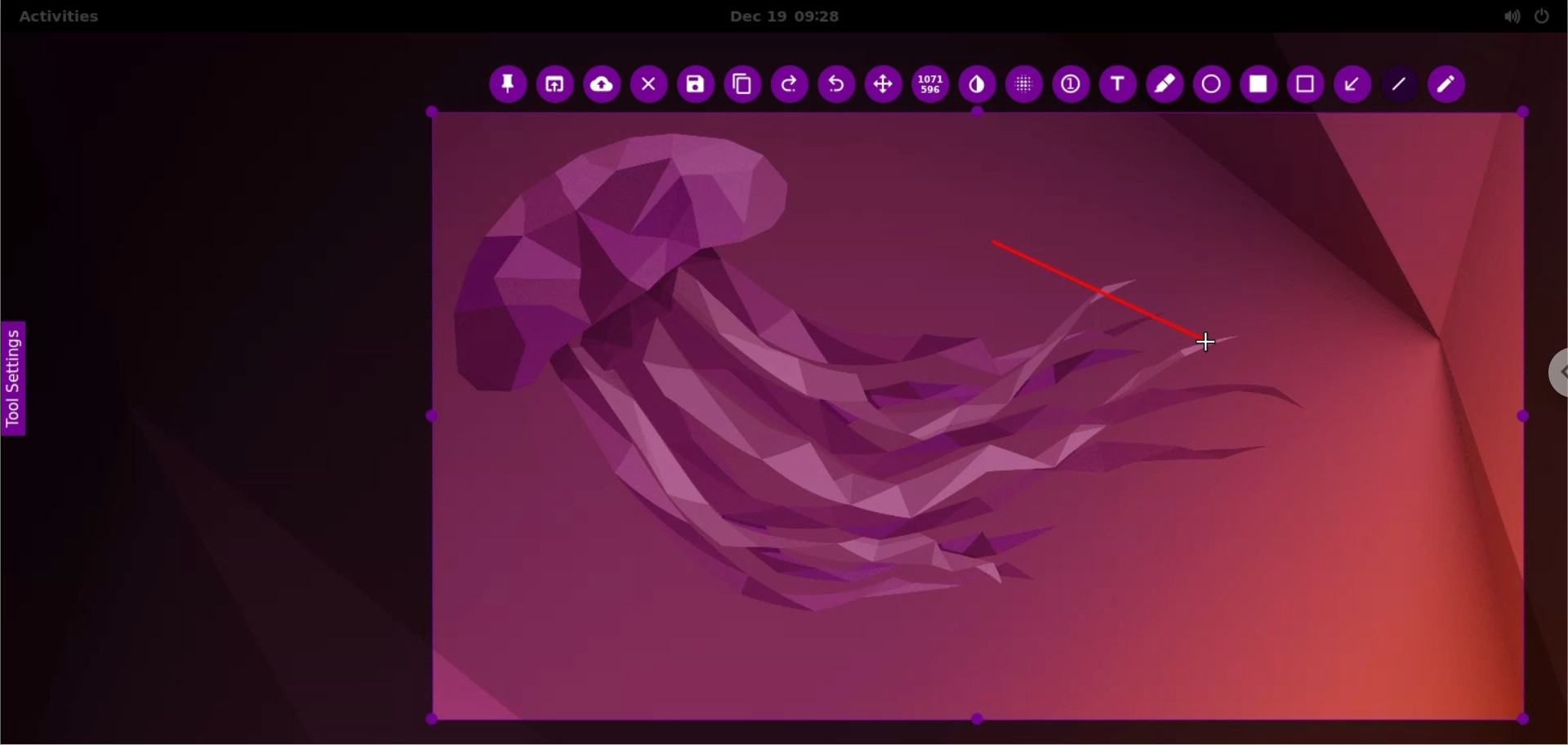  What do you see at coordinates (744, 84) in the screenshot?
I see `copy to clipboard ` at bounding box center [744, 84].